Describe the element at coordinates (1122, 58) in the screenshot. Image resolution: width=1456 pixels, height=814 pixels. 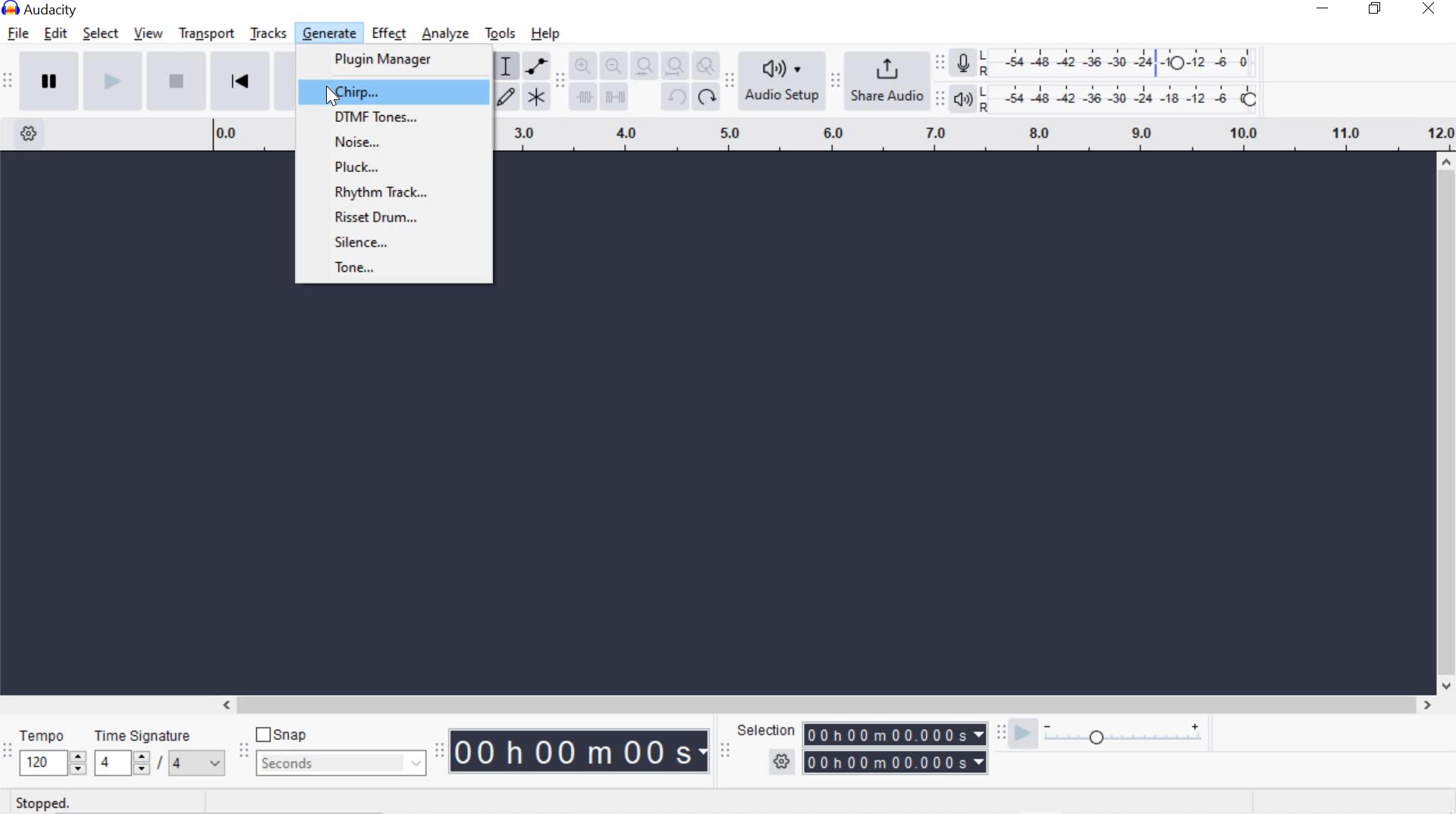
I see `Recording level` at that location.